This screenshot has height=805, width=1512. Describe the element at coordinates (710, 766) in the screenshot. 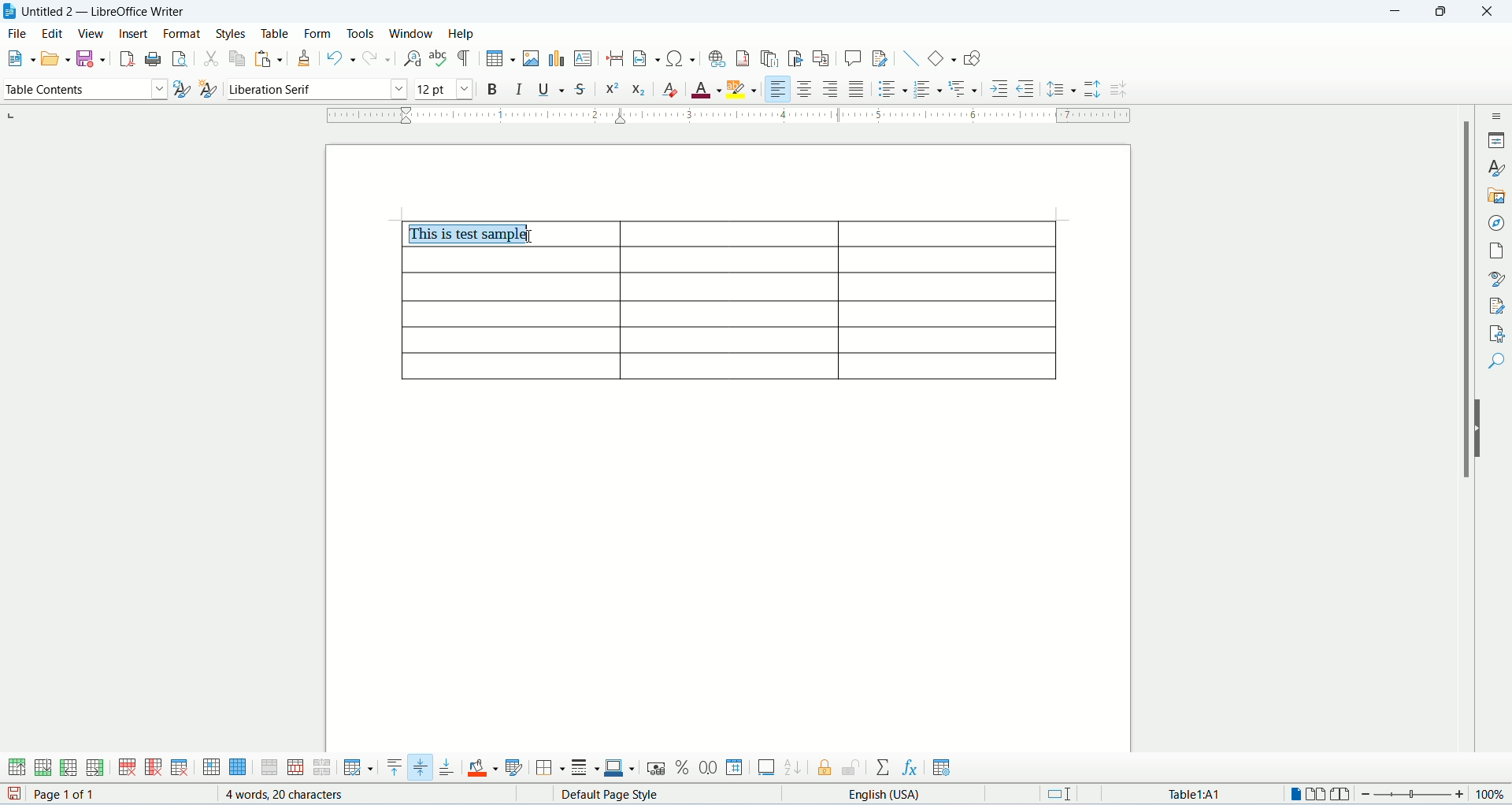

I see `decimal format` at that location.